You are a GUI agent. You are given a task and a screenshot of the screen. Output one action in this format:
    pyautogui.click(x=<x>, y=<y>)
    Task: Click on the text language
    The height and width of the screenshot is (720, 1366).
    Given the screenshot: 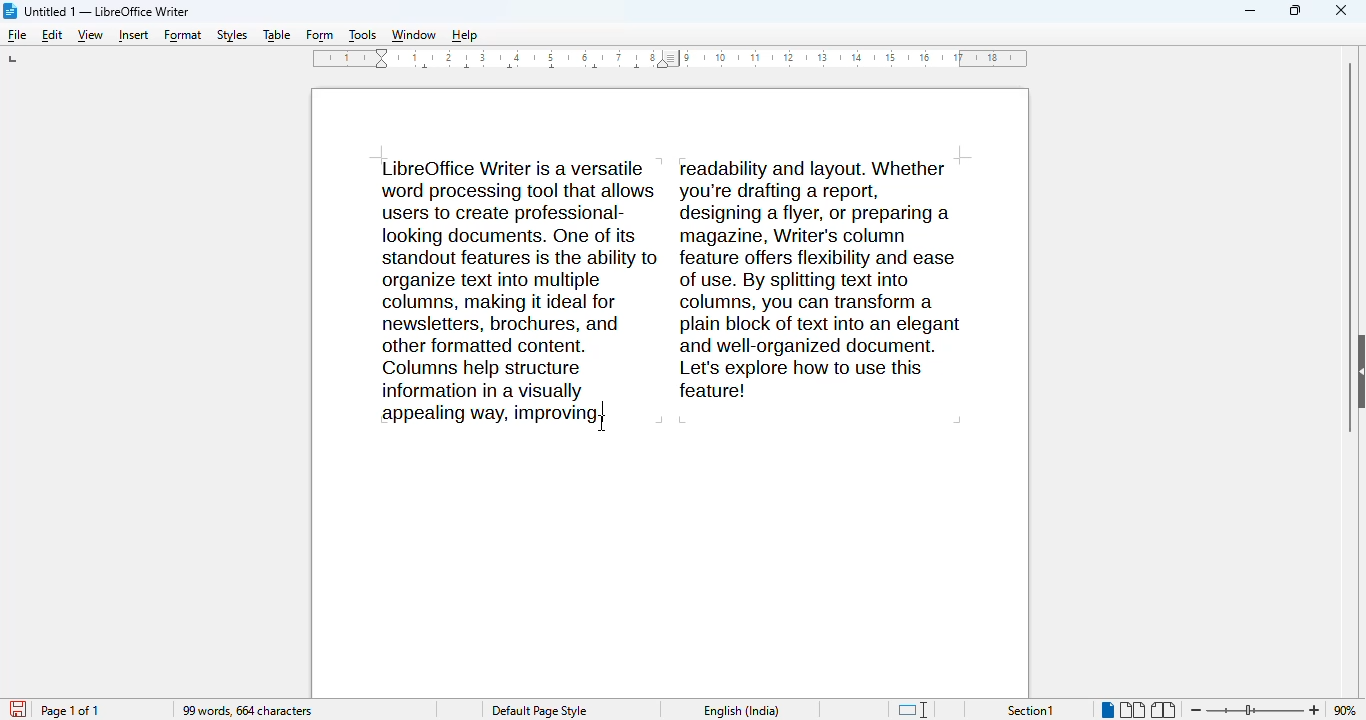 What is the action you would take?
    pyautogui.click(x=743, y=710)
    